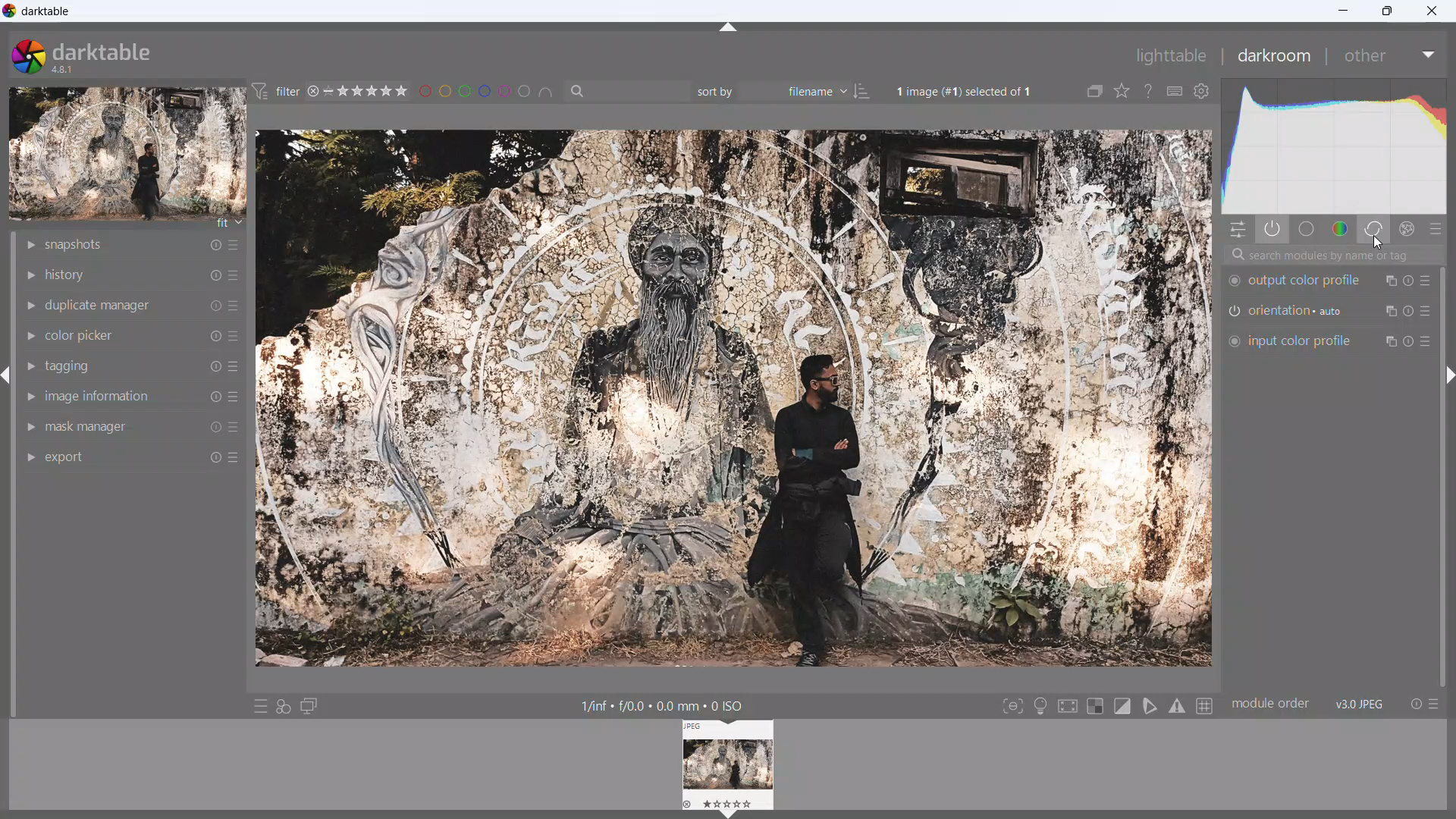 The height and width of the screenshot is (819, 1456). I want to click on toggle focus-peaking mode, so click(1012, 706).